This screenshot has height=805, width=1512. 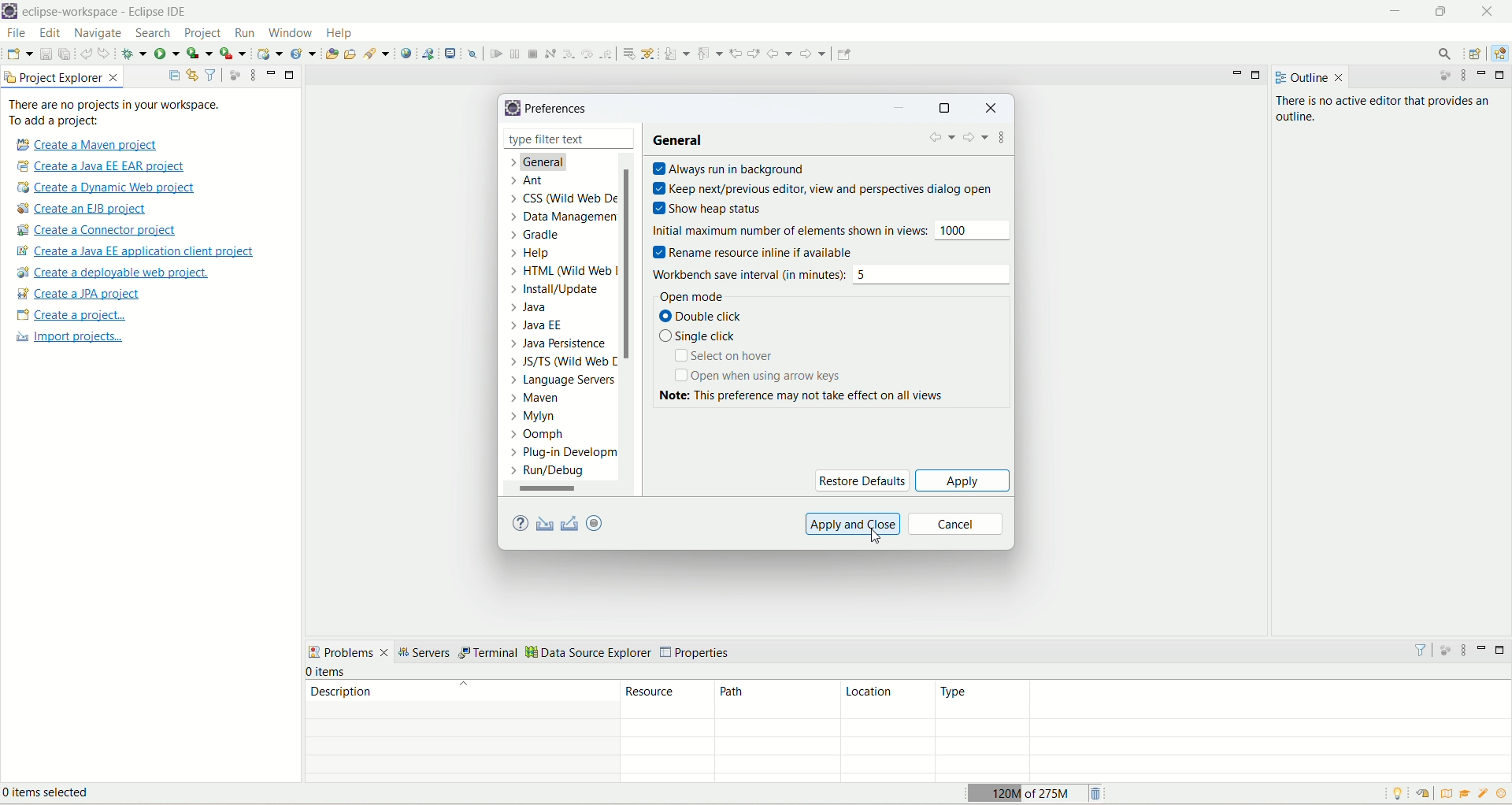 I want to click on open mode, so click(x=688, y=295).